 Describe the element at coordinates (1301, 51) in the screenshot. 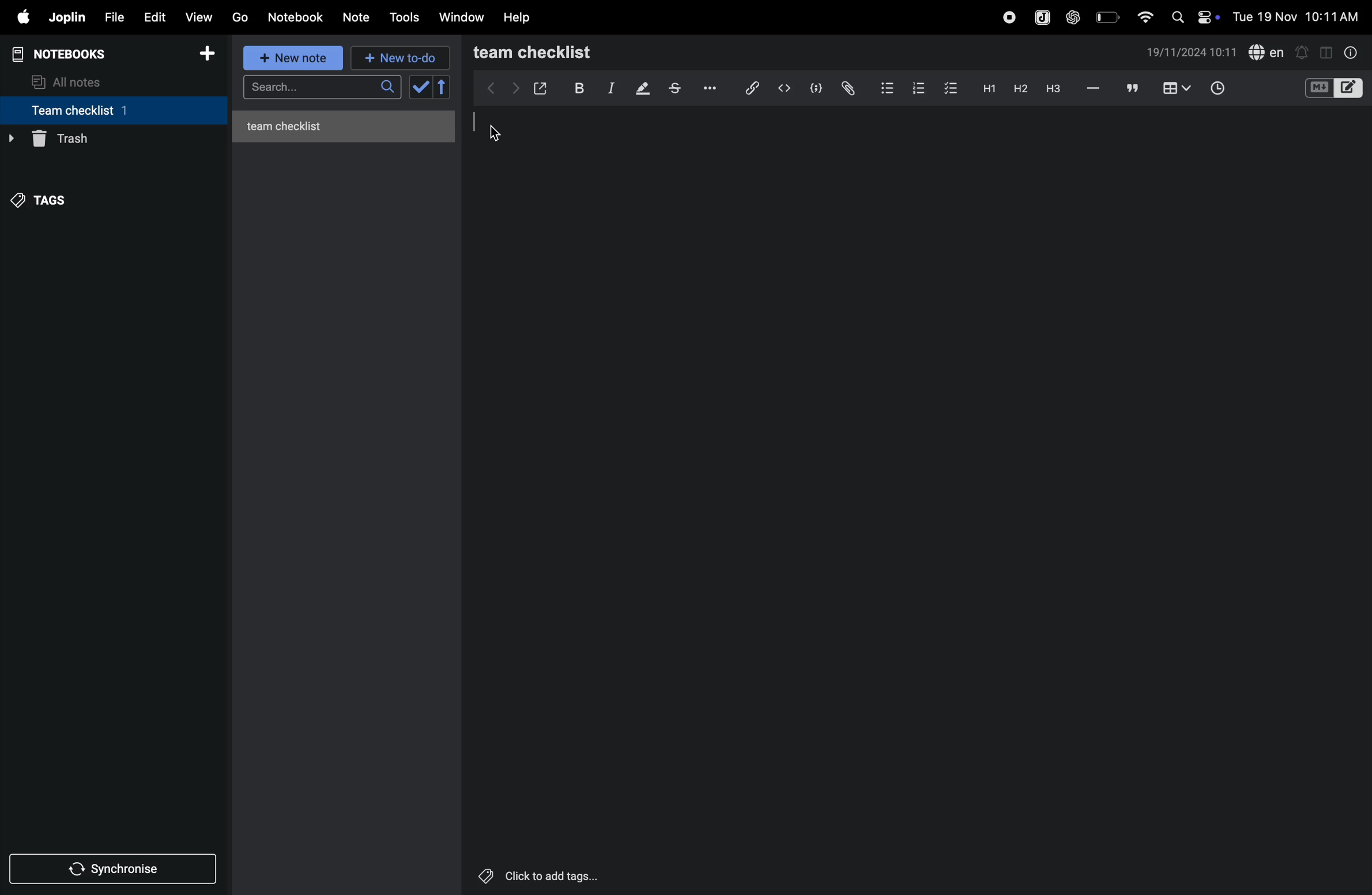

I see `` at that location.